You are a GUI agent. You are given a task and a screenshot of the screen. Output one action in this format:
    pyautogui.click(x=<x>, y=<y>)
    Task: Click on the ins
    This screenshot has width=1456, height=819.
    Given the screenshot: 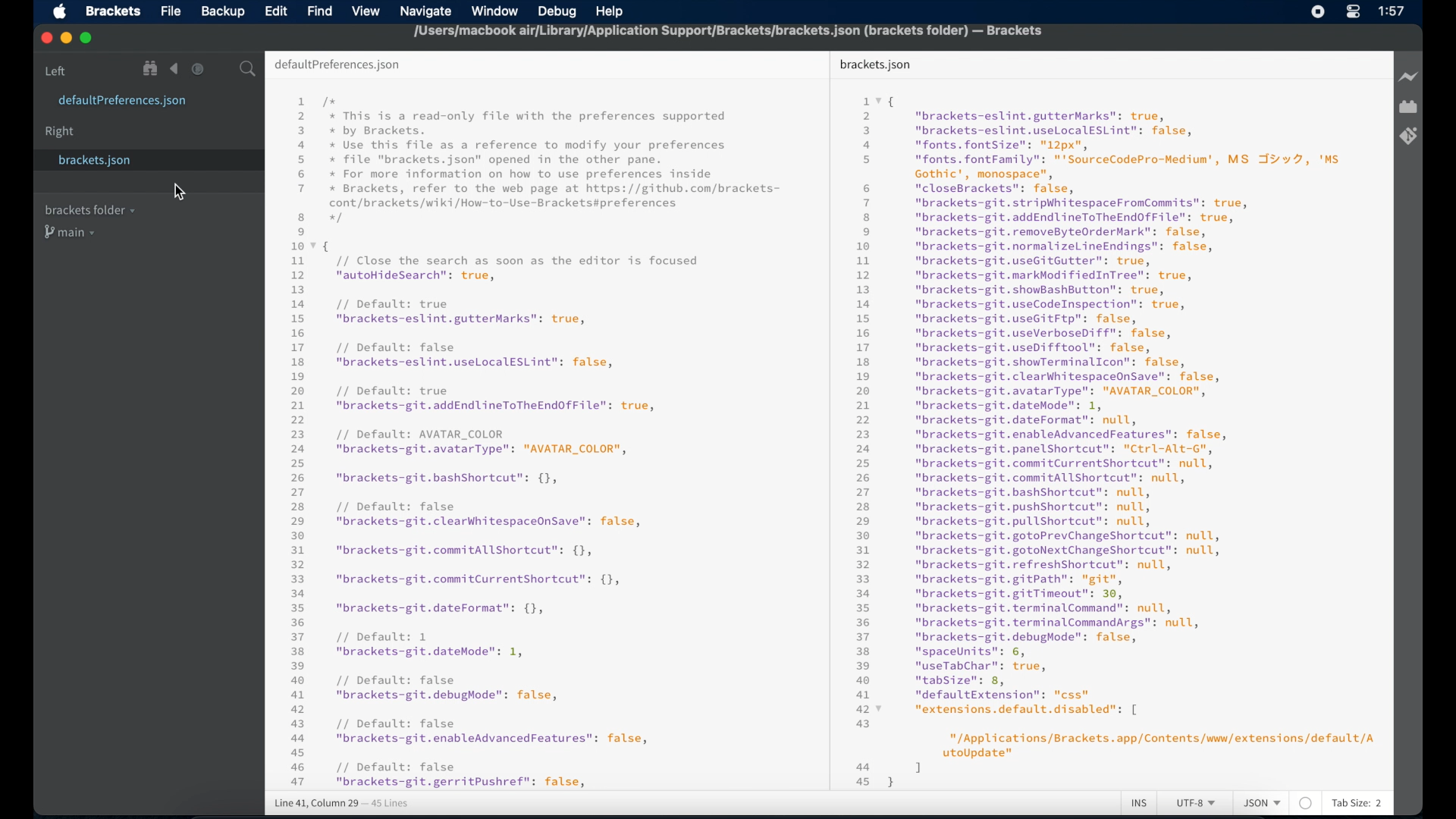 What is the action you would take?
    pyautogui.click(x=1140, y=804)
    